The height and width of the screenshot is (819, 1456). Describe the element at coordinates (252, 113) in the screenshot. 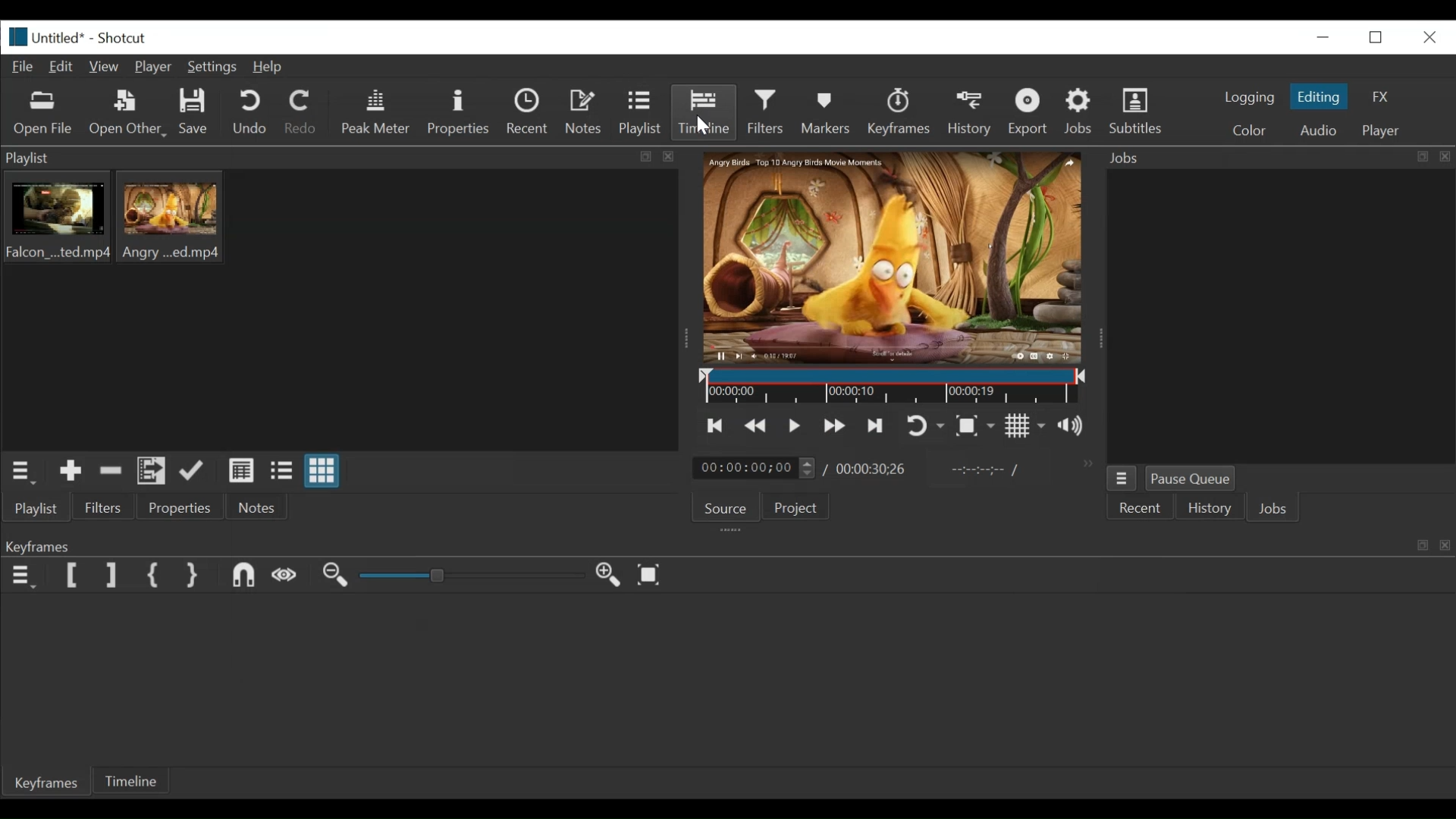

I see `Undo` at that location.